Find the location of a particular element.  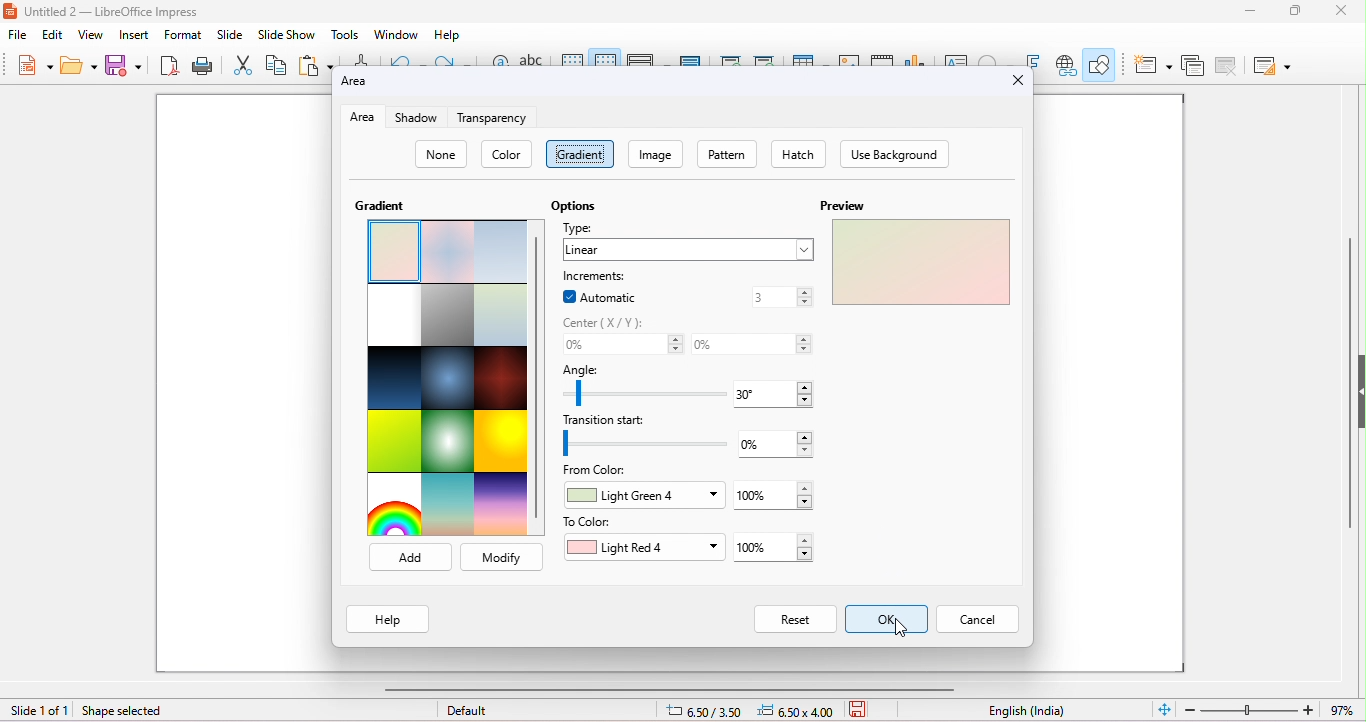

new is located at coordinates (35, 64).